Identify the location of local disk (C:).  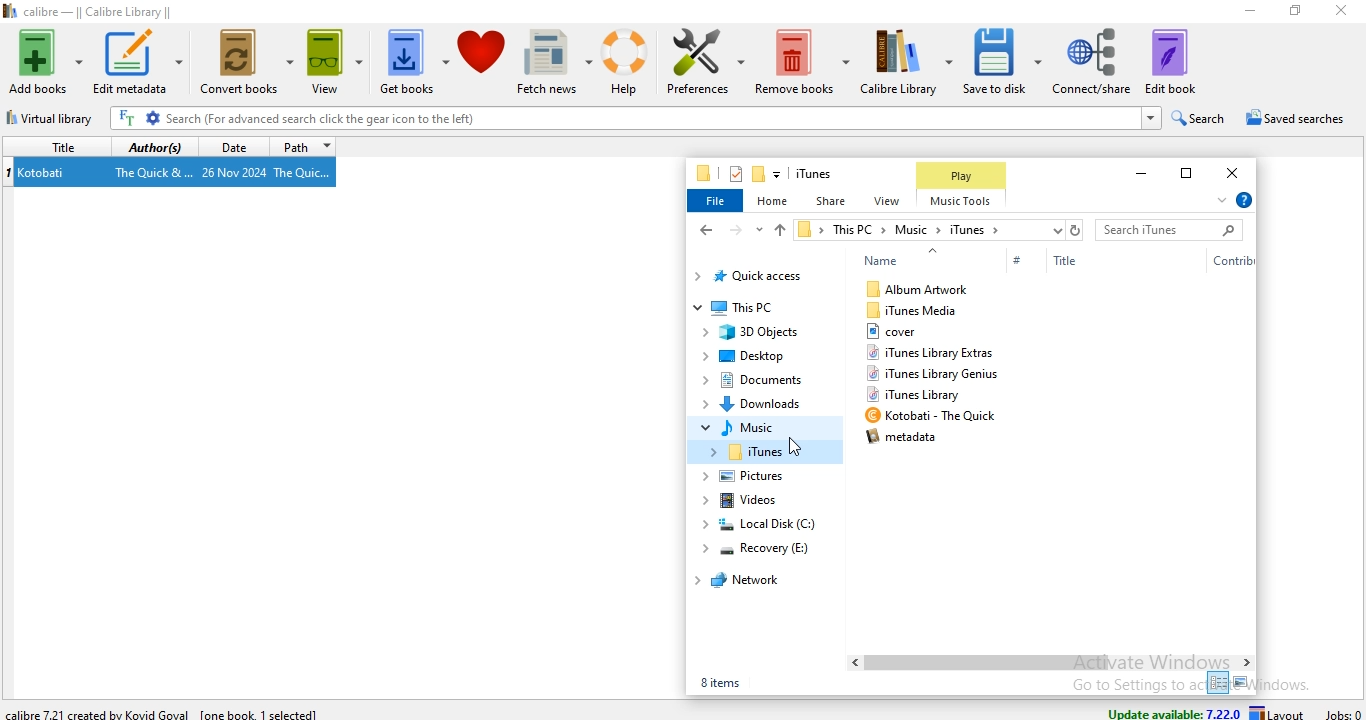
(754, 527).